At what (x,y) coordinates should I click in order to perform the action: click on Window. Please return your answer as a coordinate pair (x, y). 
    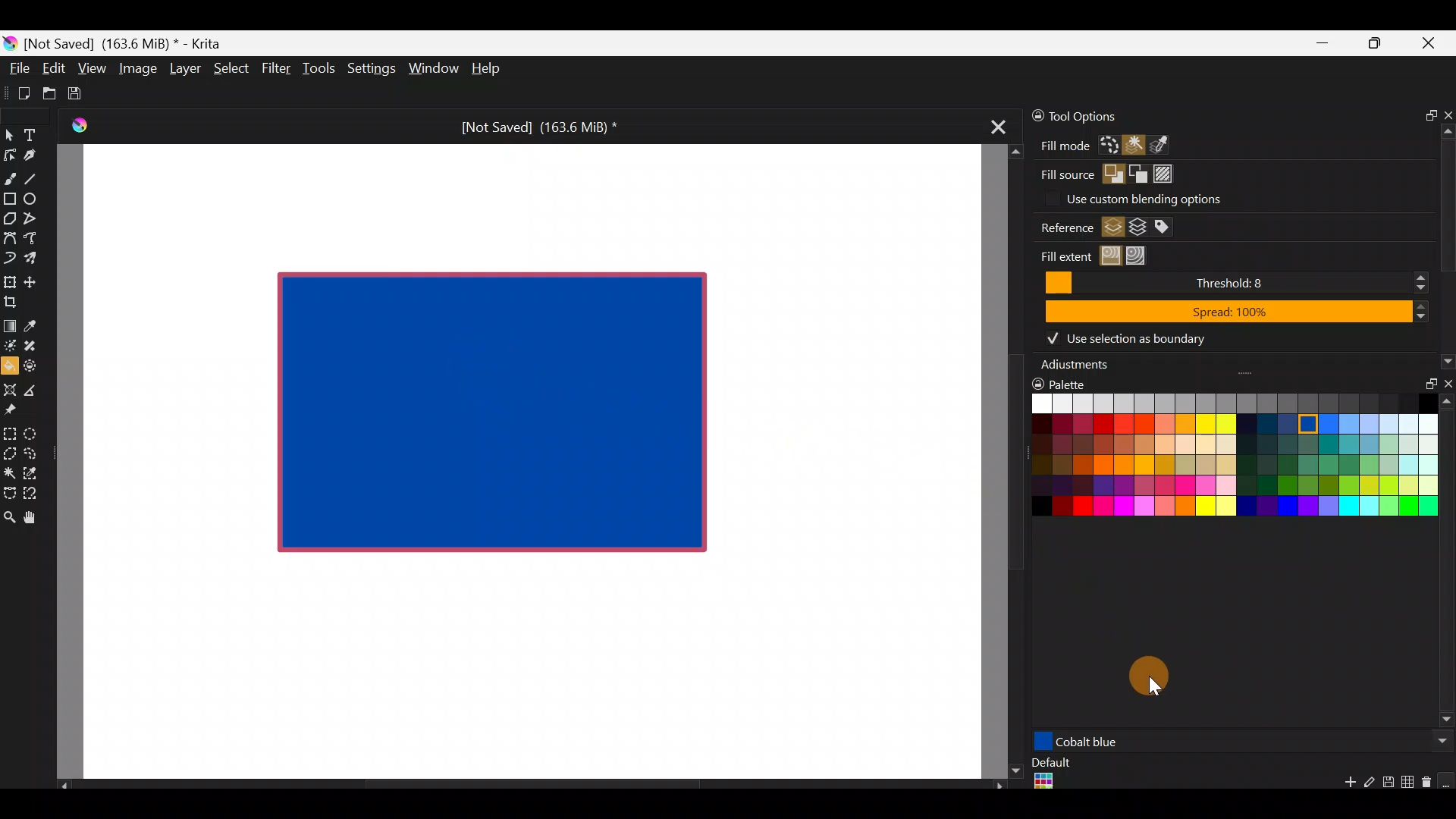
    Looking at the image, I should click on (431, 67).